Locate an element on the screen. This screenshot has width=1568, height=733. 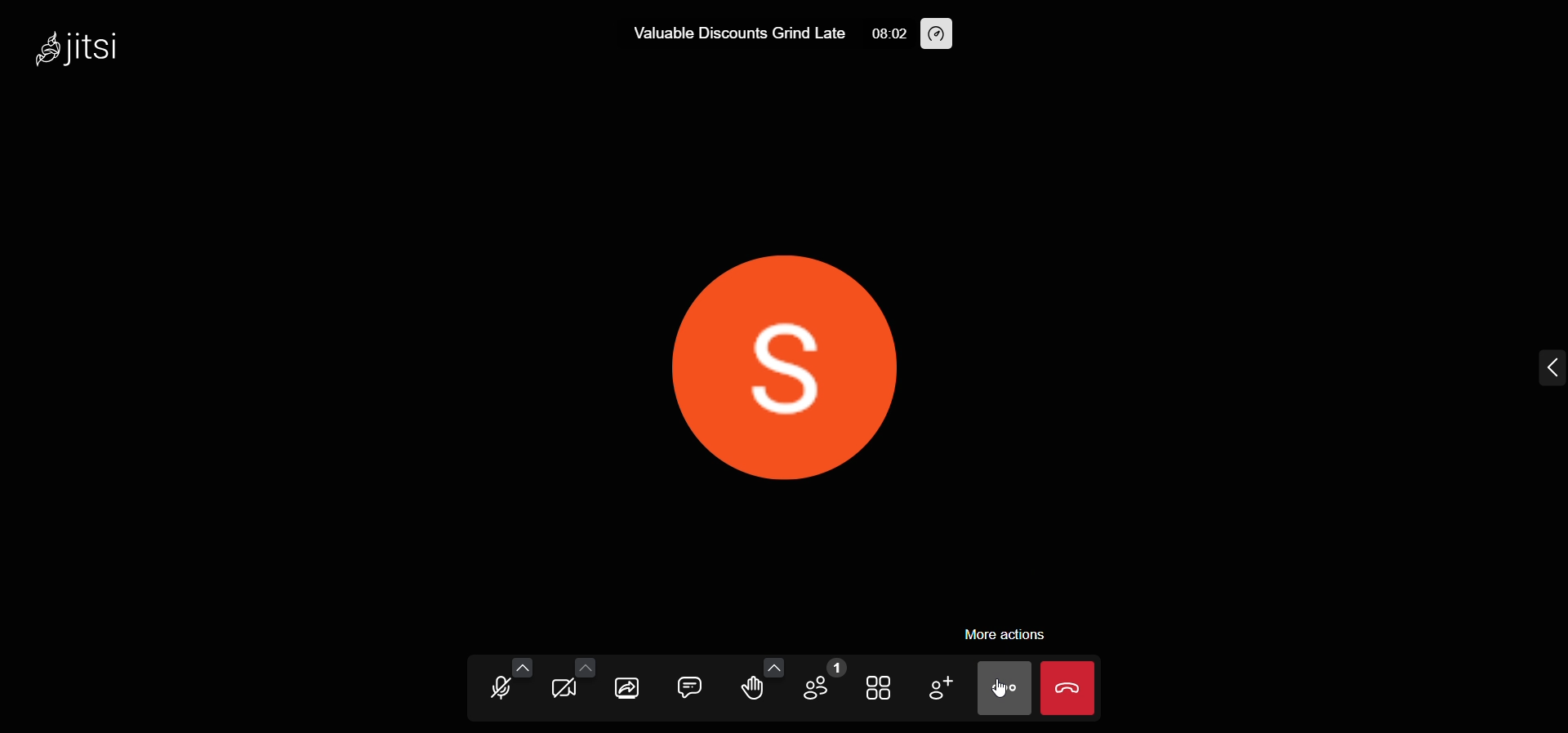
more is located at coordinates (1006, 688).